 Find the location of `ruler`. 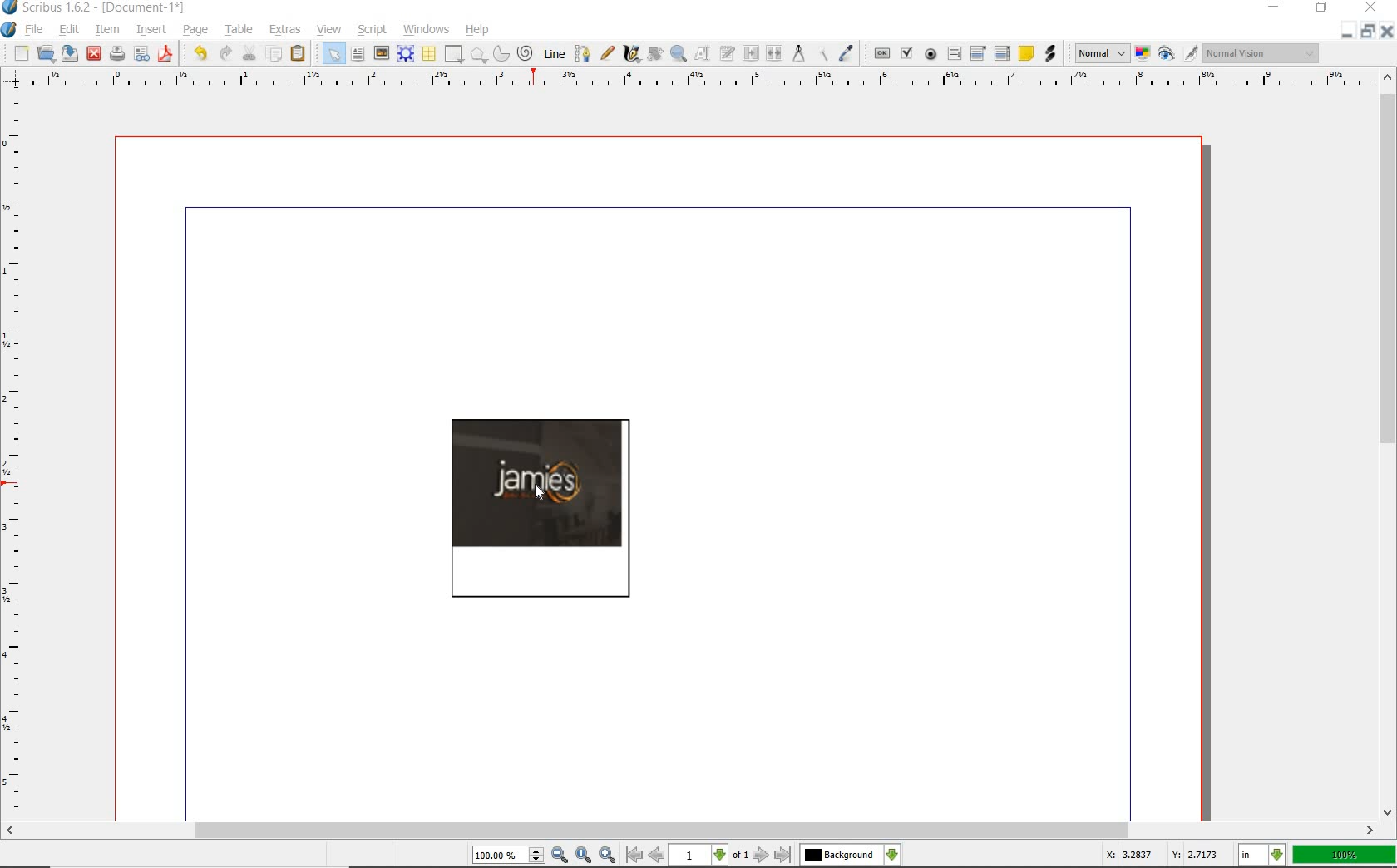

ruler is located at coordinates (687, 81).